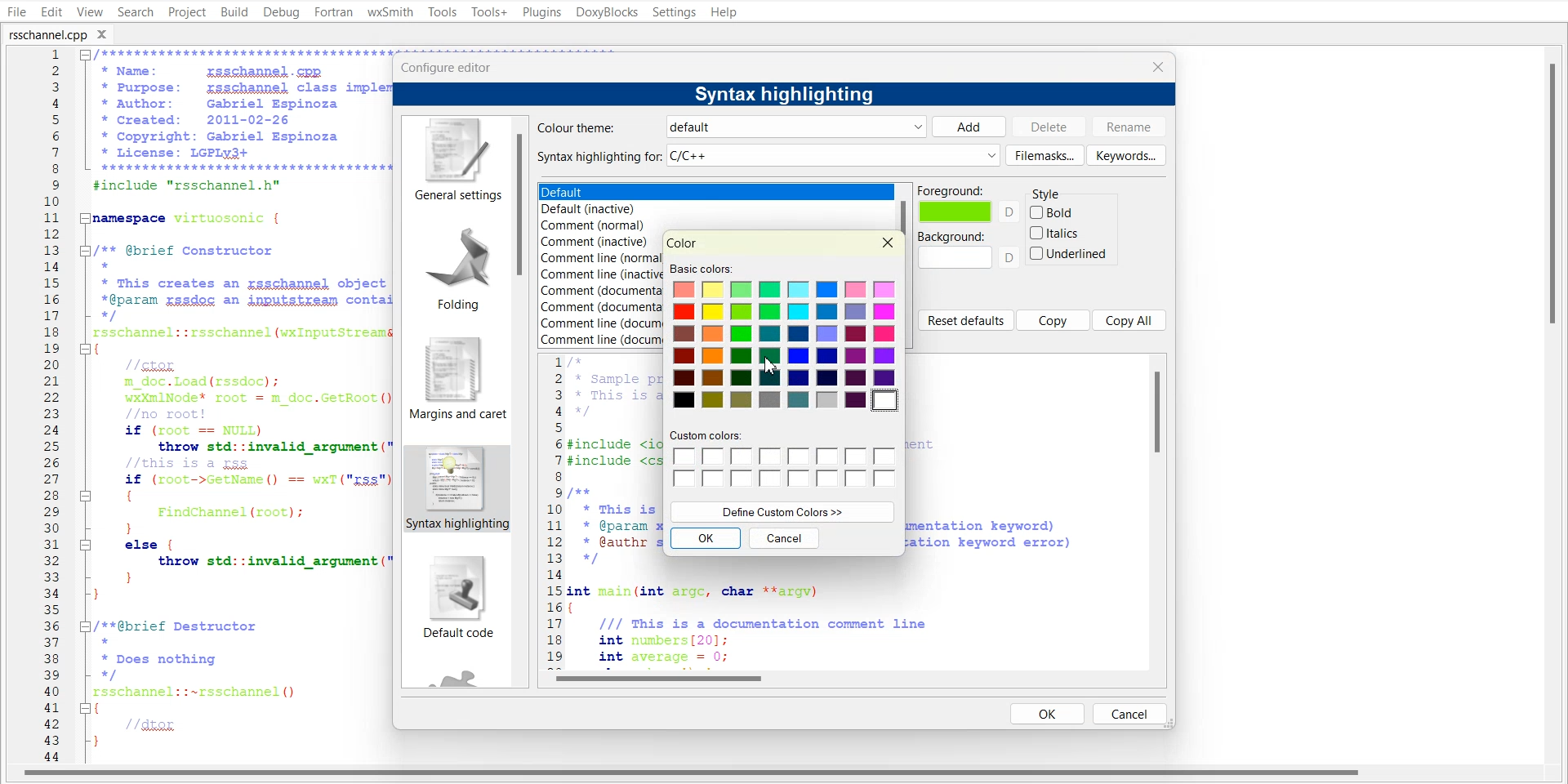 This screenshot has height=784, width=1568. What do you see at coordinates (1130, 319) in the screenshot?
I see `Copy all` at bounding box center [1130, 319].